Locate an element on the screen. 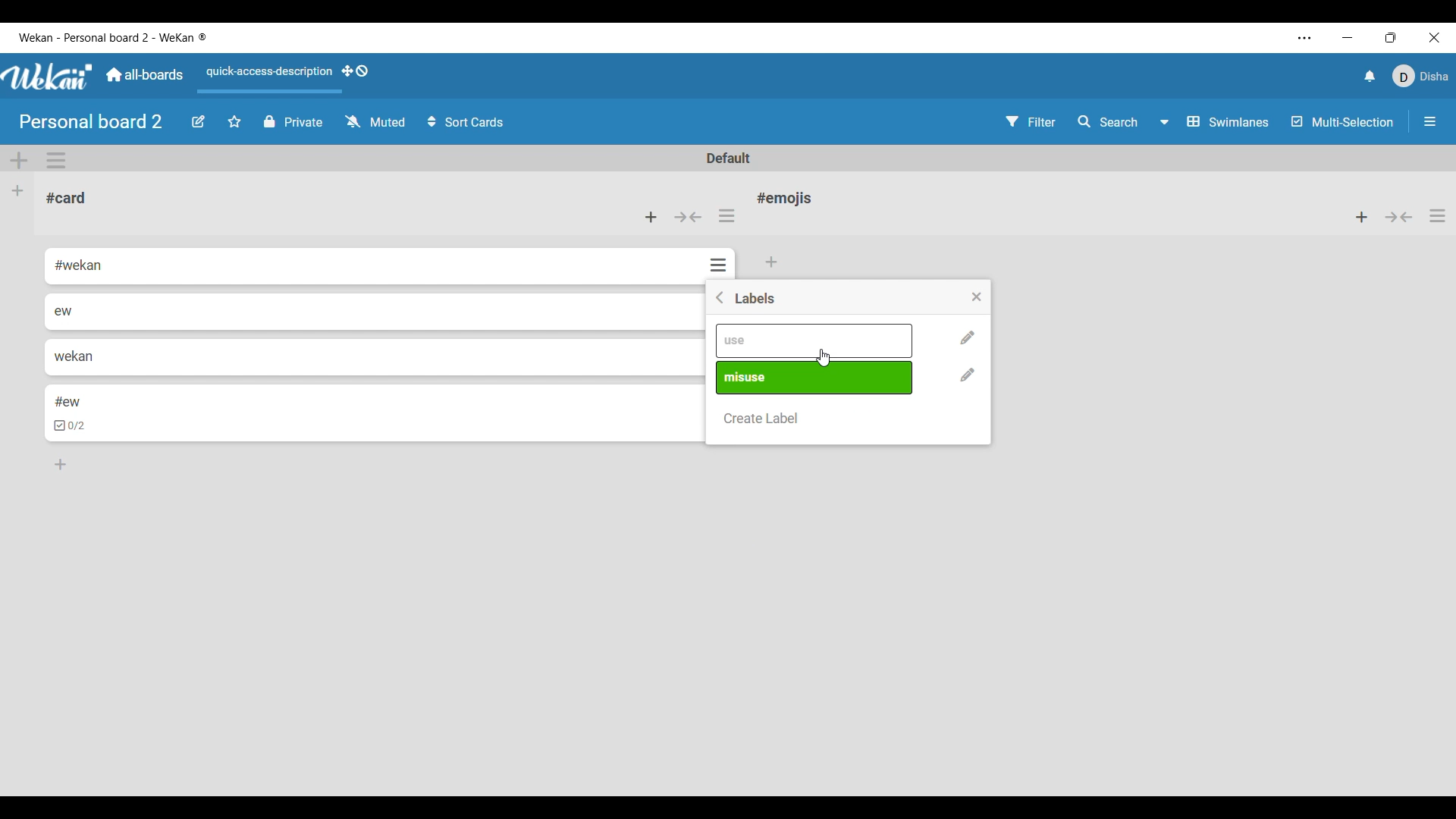  Go to common dashboard is located at coordinates (145, 74).